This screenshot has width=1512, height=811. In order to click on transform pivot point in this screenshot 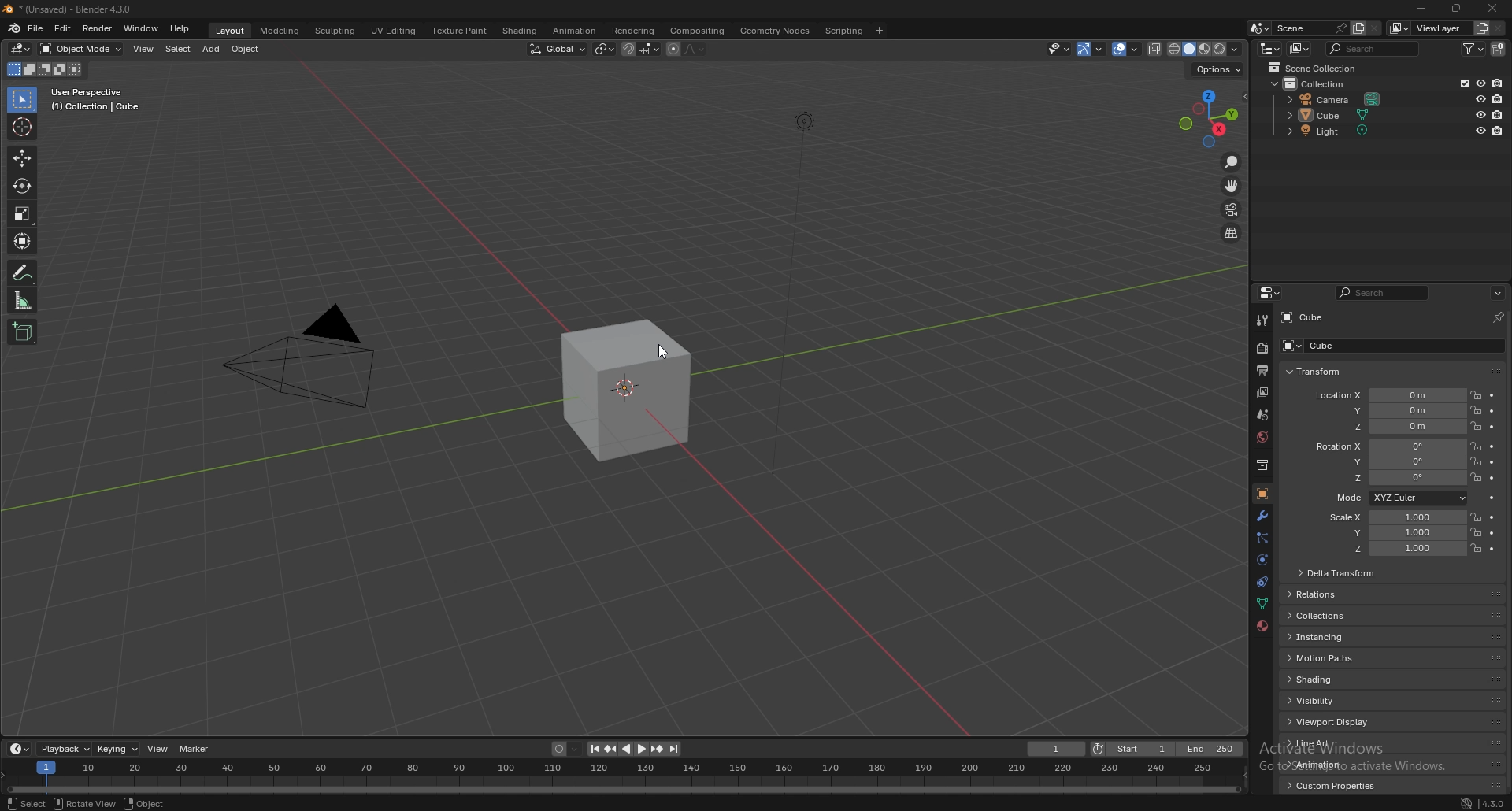, I will do `click(605, 49)`.